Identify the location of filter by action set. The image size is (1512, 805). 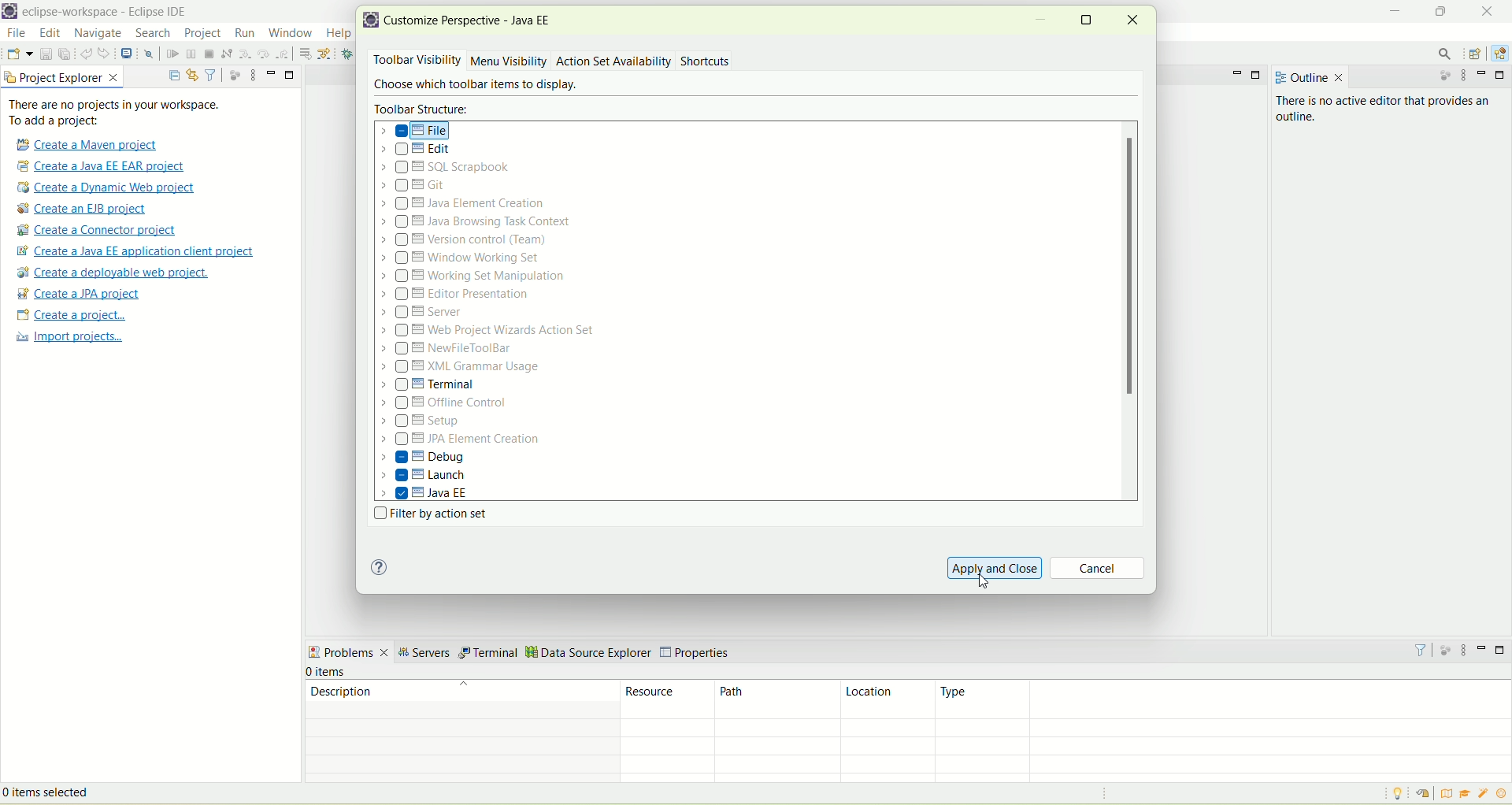
(427, 515).